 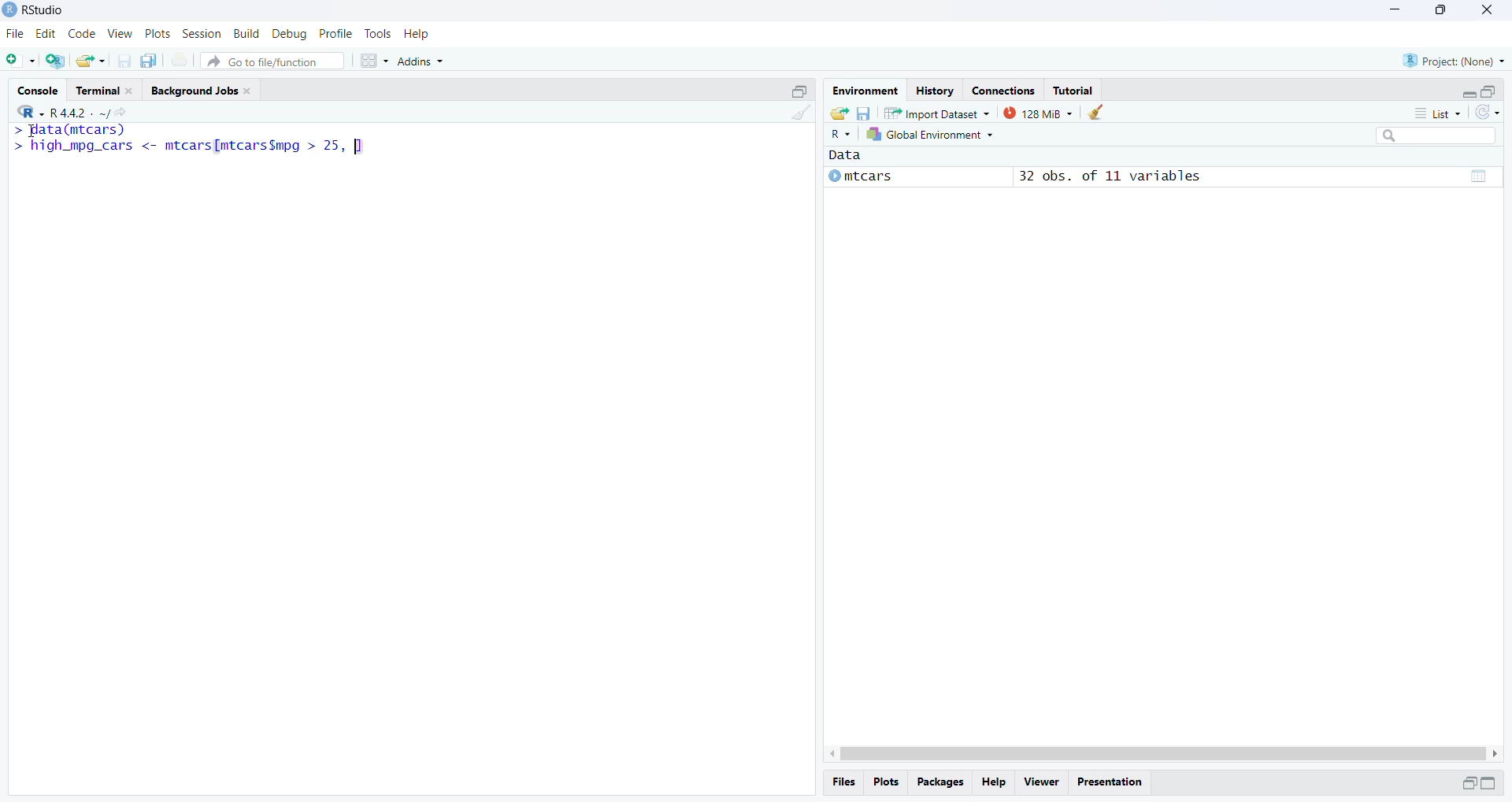 What do you see at coordinates (81, 34) in the screenshot?
I see `Code` at bounding box center [81, 34].